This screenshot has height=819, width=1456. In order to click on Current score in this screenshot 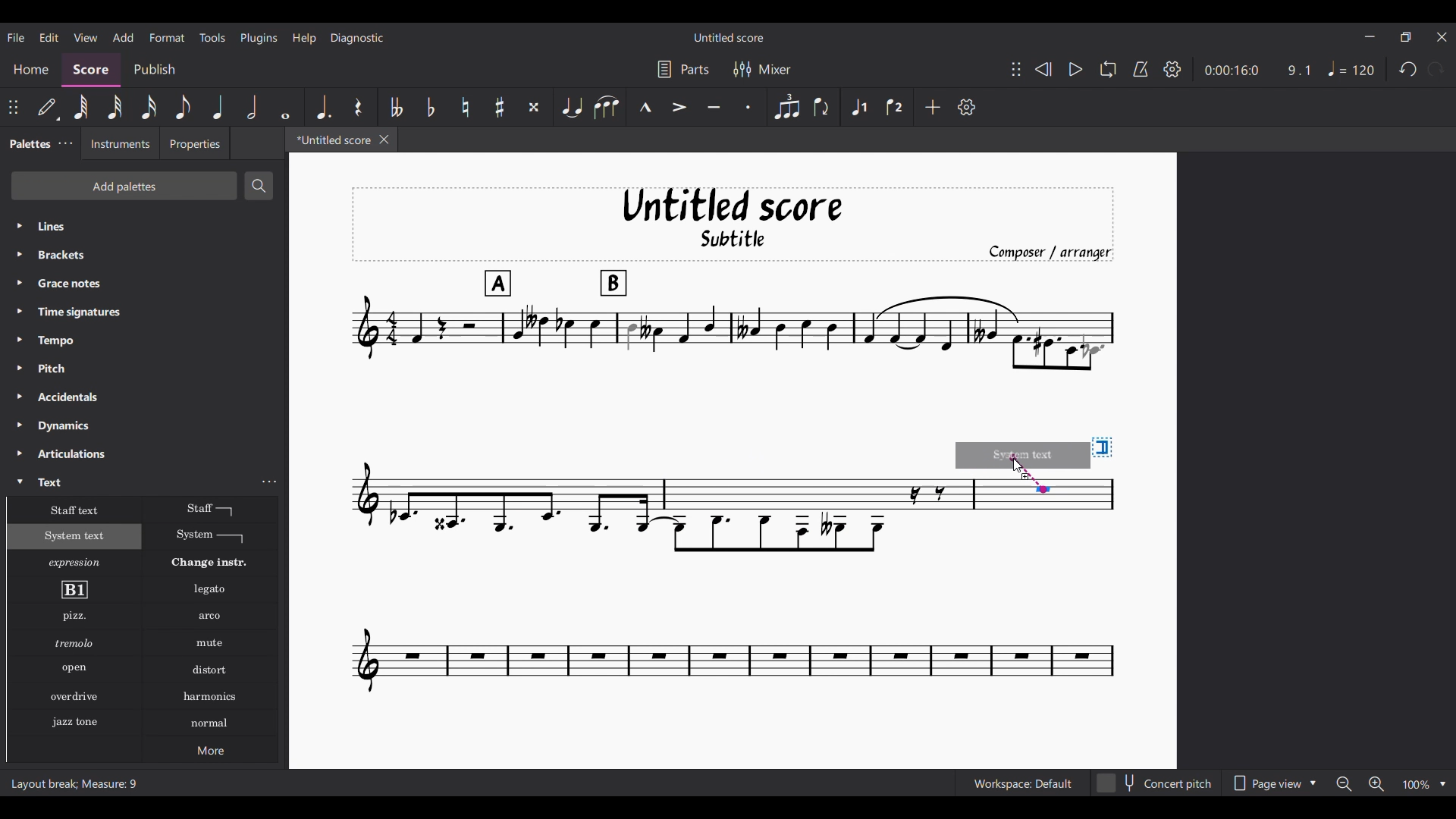, I will do `click(1037, 596)`.